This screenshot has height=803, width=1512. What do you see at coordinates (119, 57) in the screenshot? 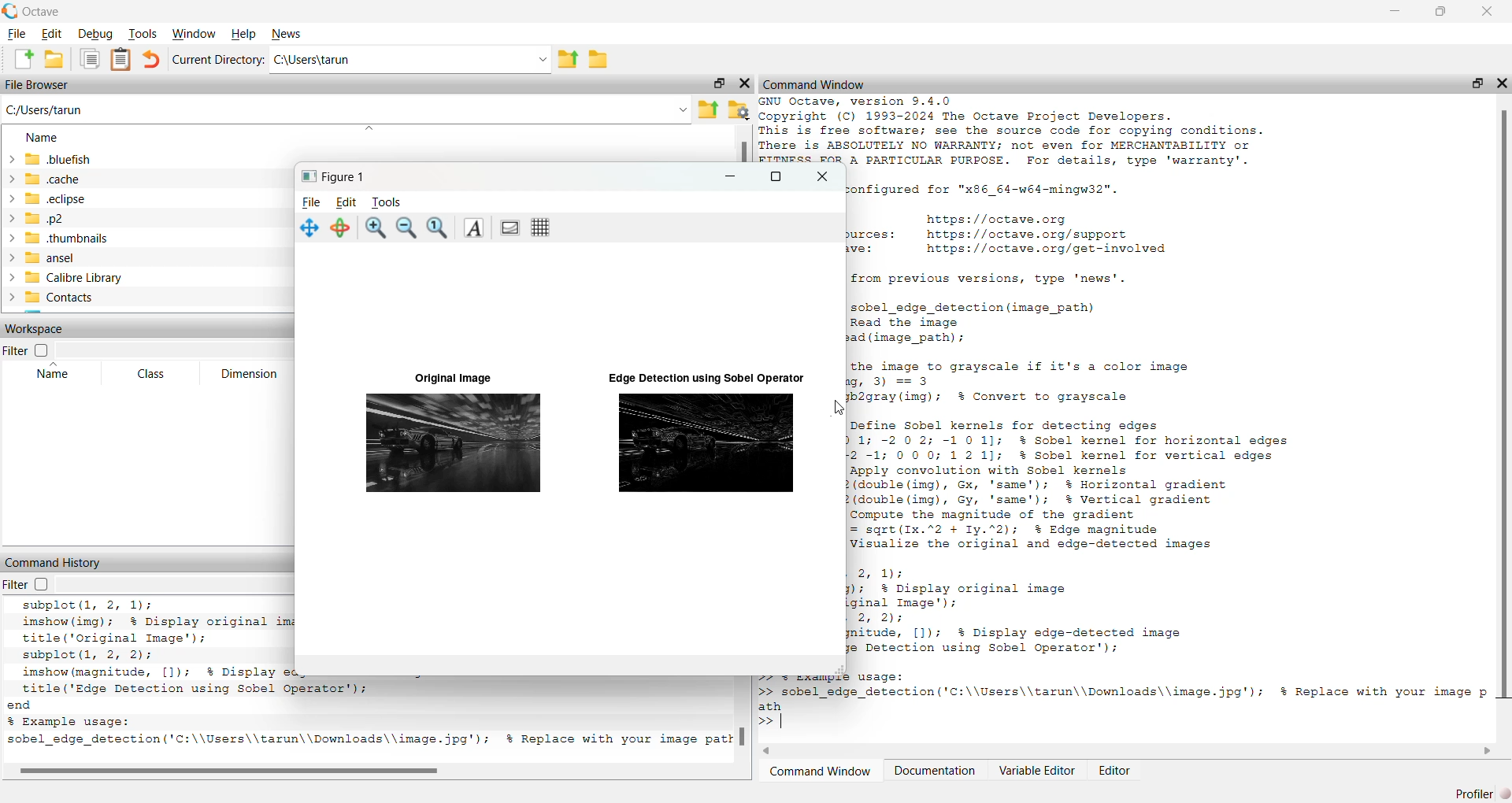
I see `document clipboard` at bounding box center [119, 57].